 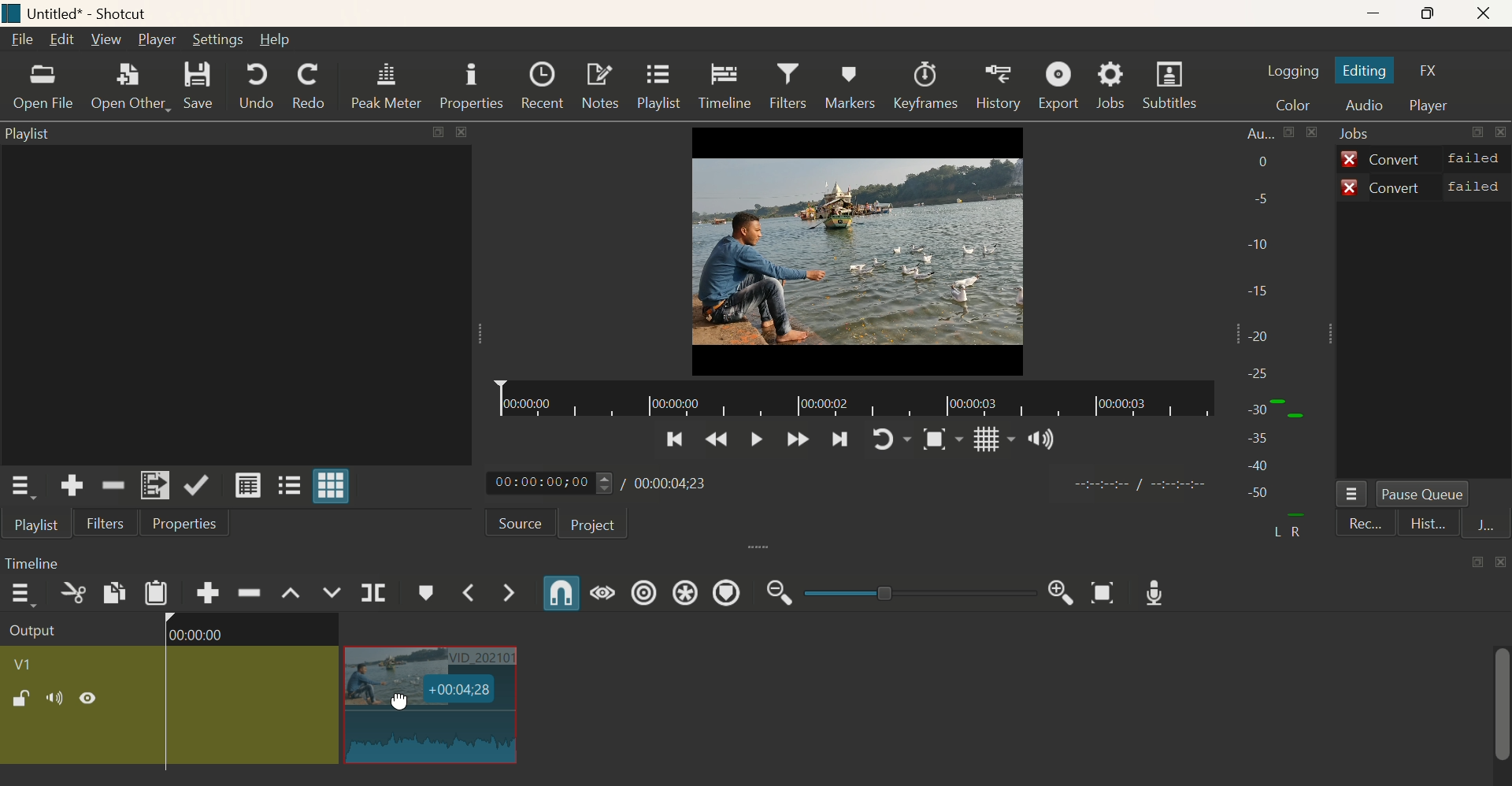 What do you see at coordinates (541, 87) in the screenshot?
I see `Recent` at bounding box center [541, 87].